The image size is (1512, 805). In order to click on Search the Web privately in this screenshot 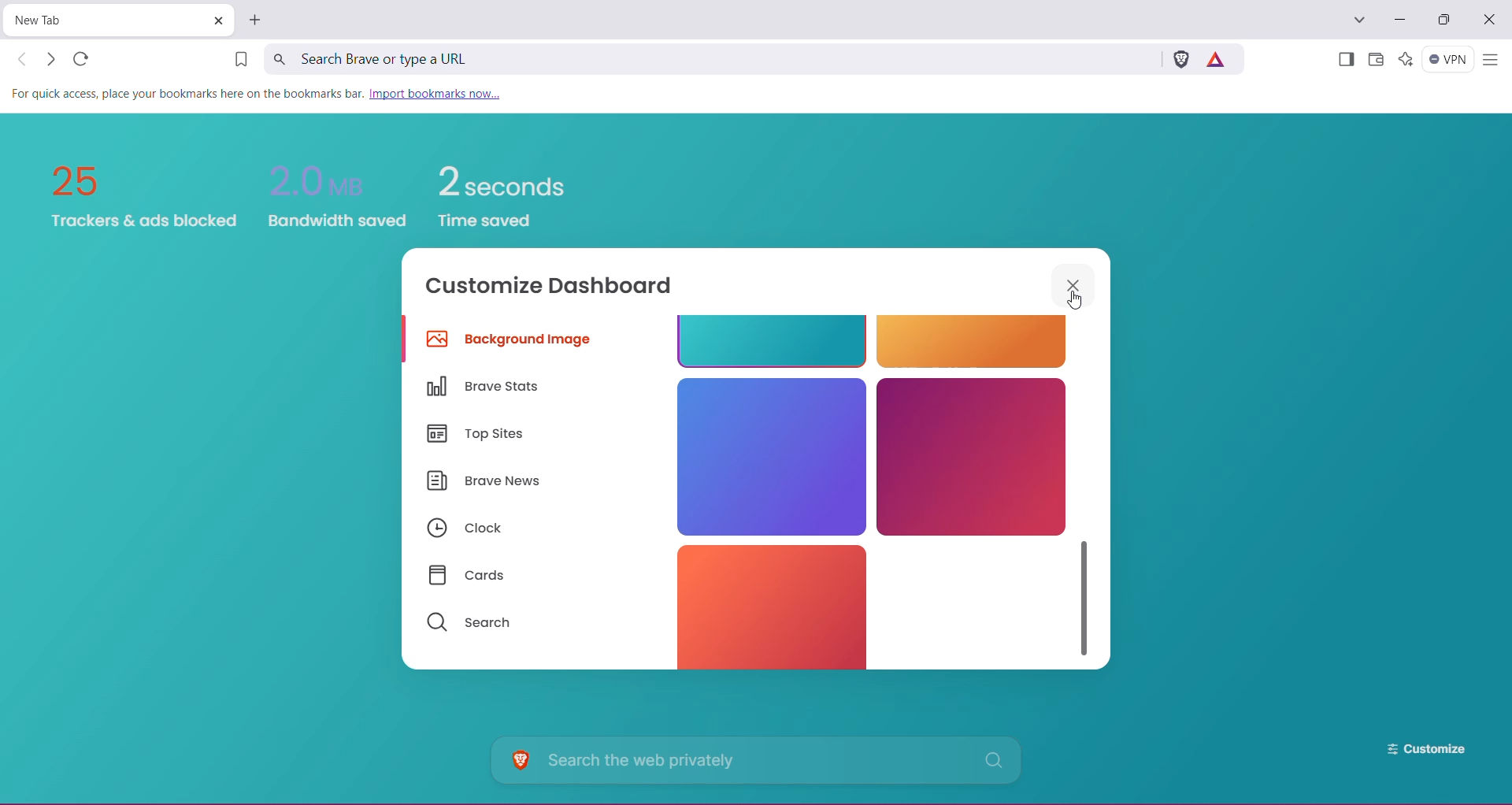, I will do `click(760, 760)`.